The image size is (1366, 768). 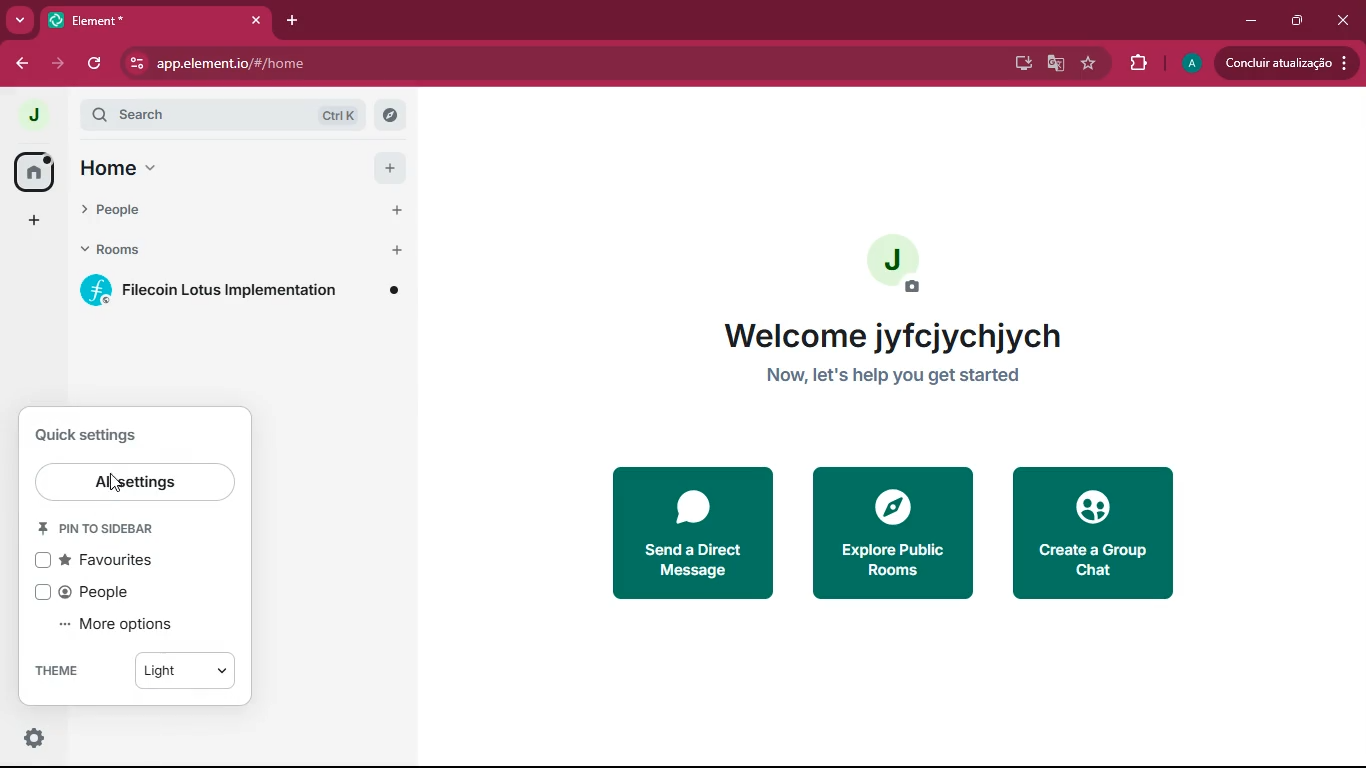 I want to click on search, so click(x=184, y=115).